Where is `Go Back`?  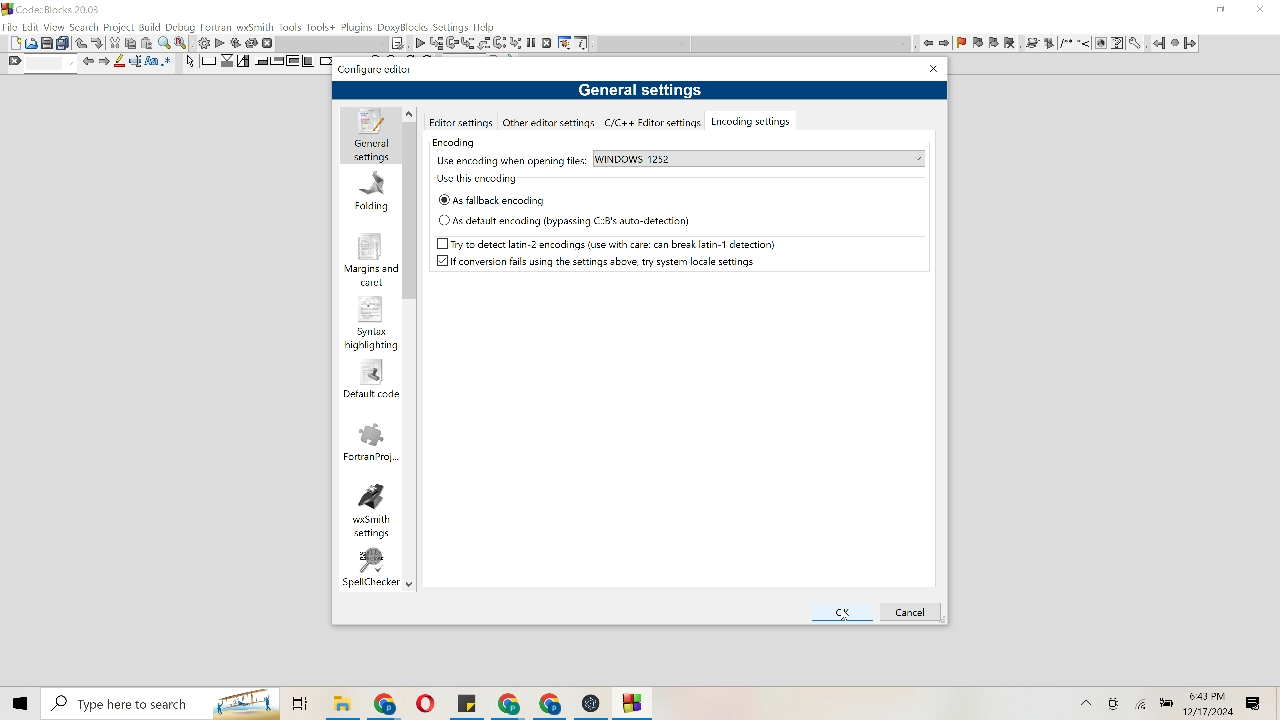
Go Back is located at coordinates (1157, 43).